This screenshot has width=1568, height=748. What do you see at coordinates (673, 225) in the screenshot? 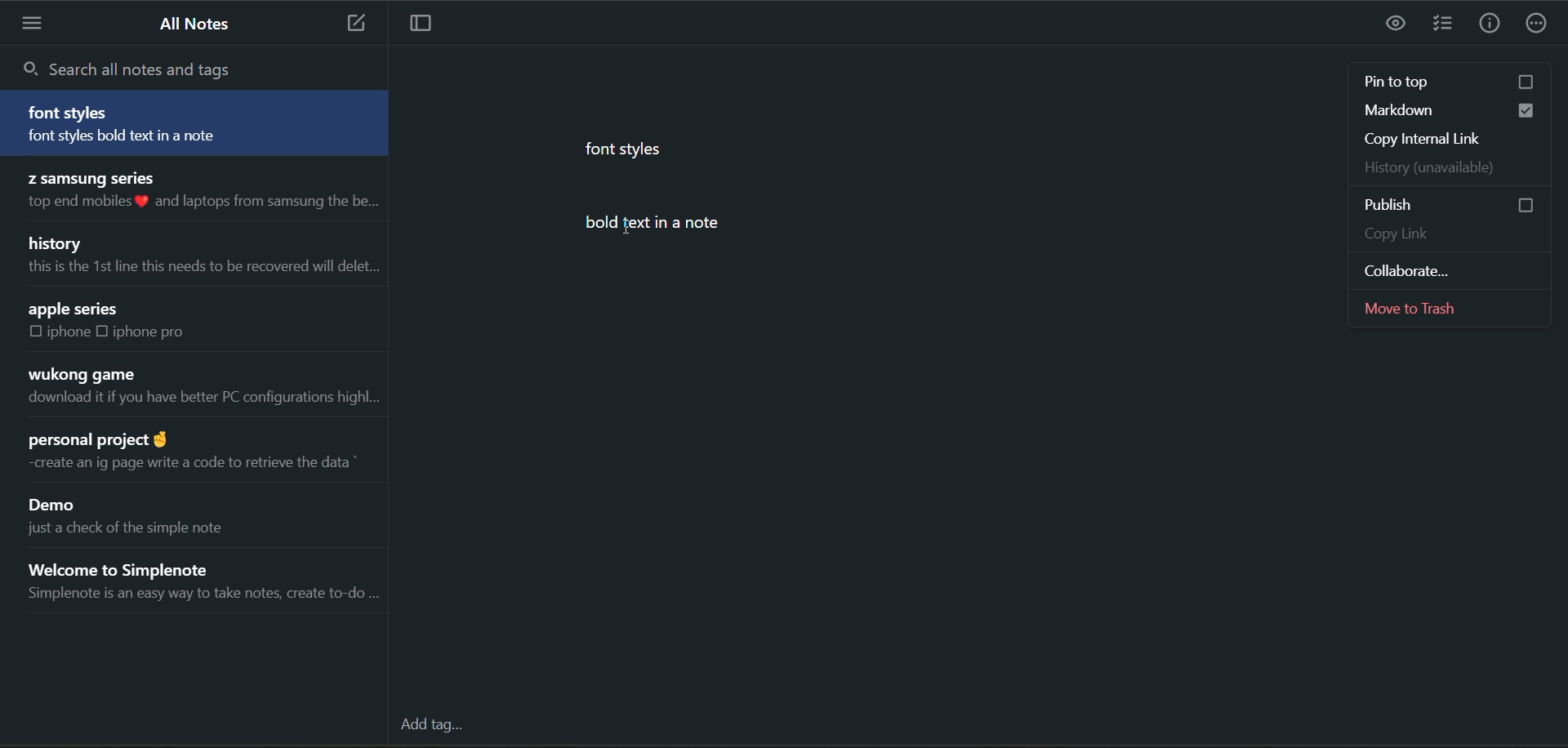
I see `bold text in a note` at bounding box center [673, 225].